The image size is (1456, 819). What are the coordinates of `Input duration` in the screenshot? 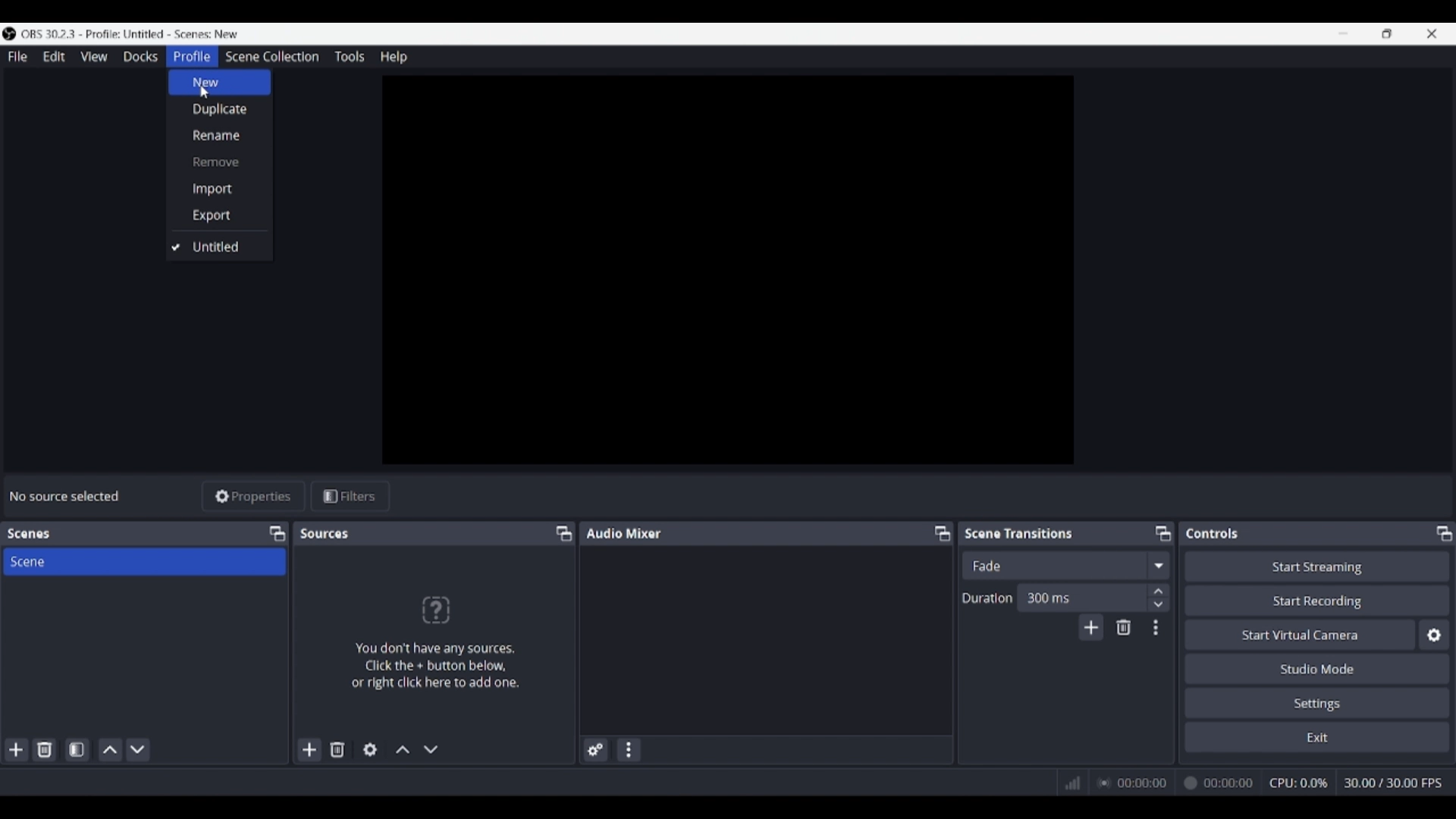 It's located at (1081, 597).